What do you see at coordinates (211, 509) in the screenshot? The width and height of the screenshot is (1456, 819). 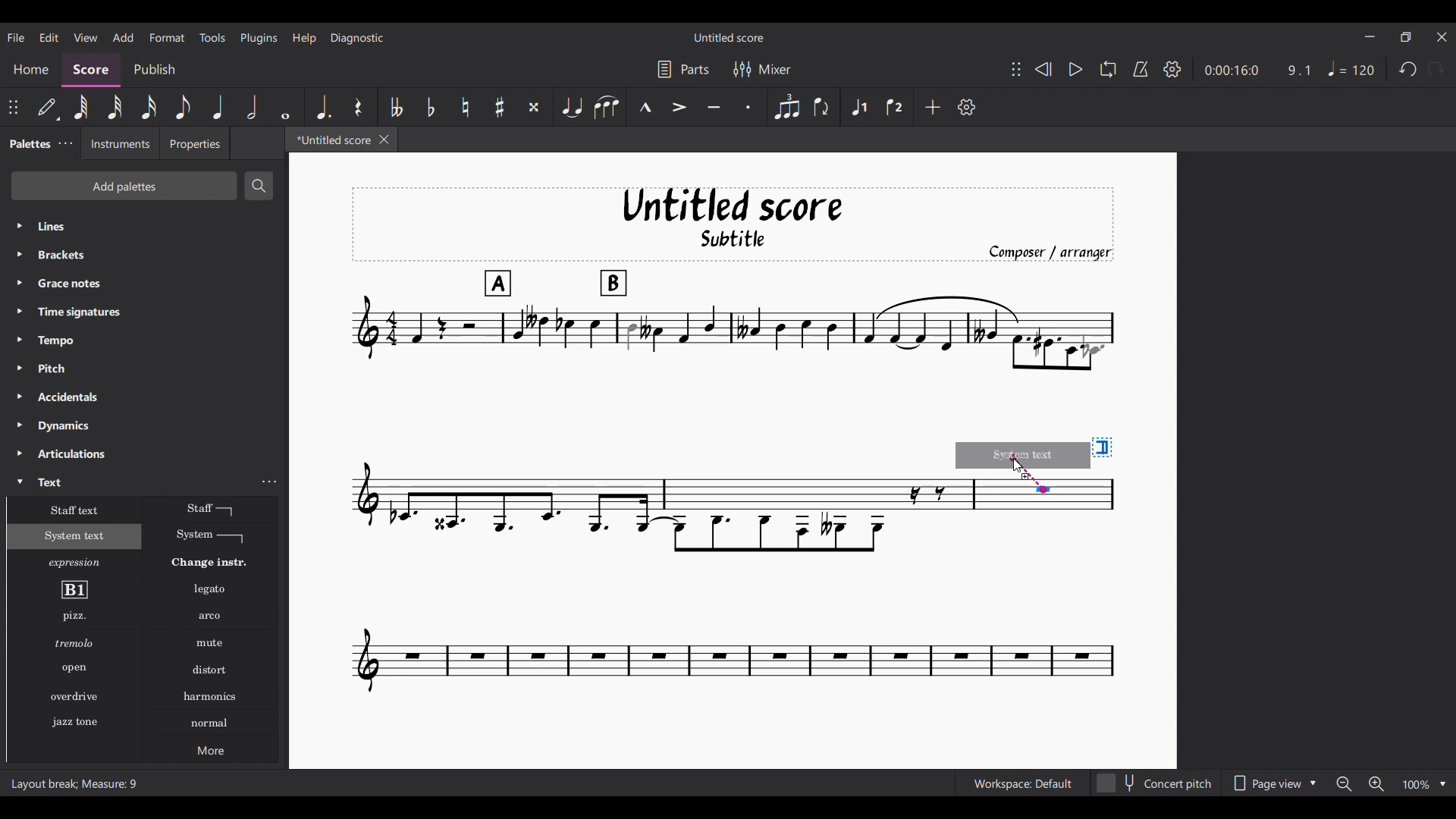 I see `Staff text line` at bounding box center [211, 509].